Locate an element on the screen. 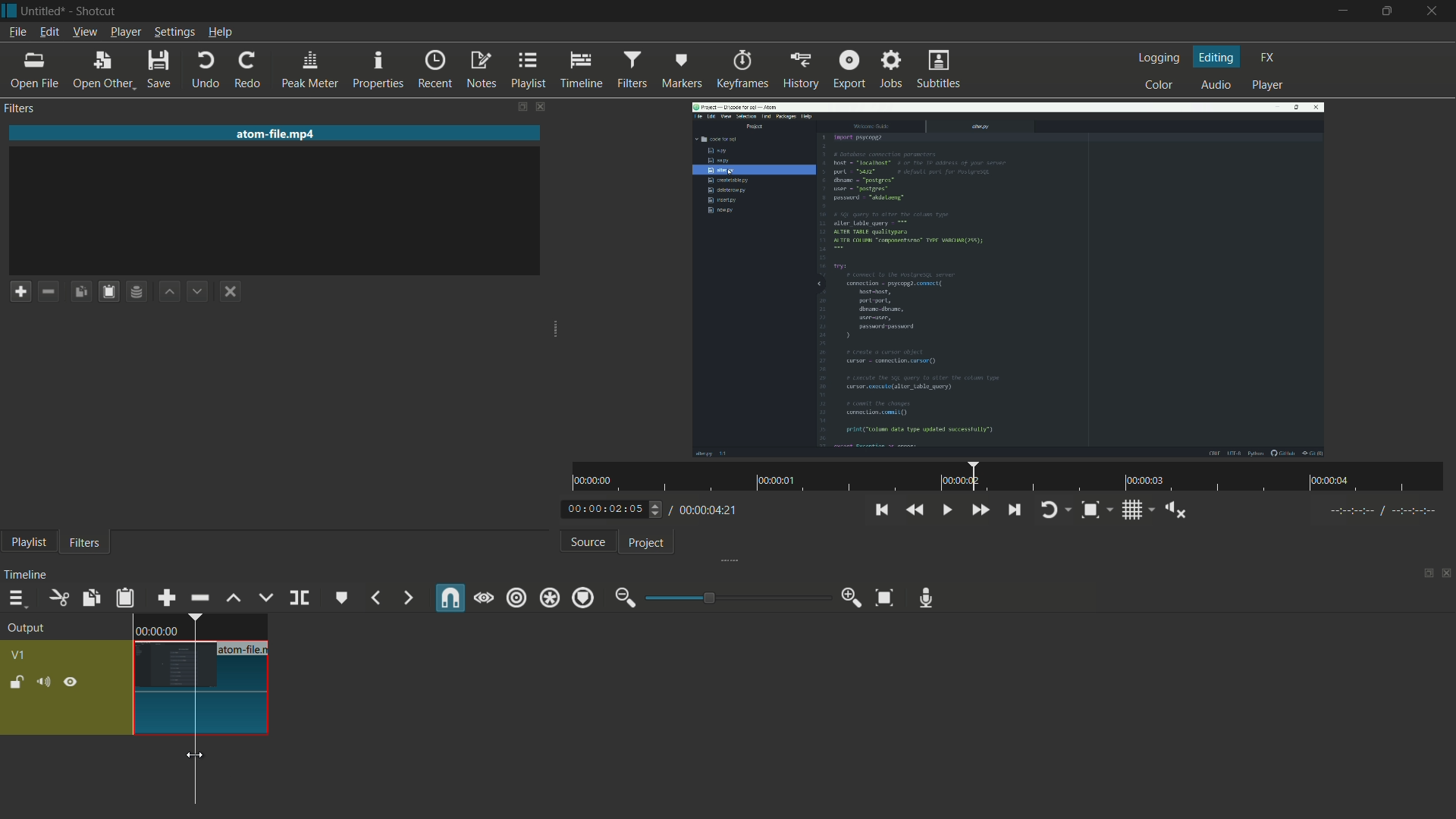 This screenshot has height=819, width=1456. cursor is located at coordinates (193, 755).